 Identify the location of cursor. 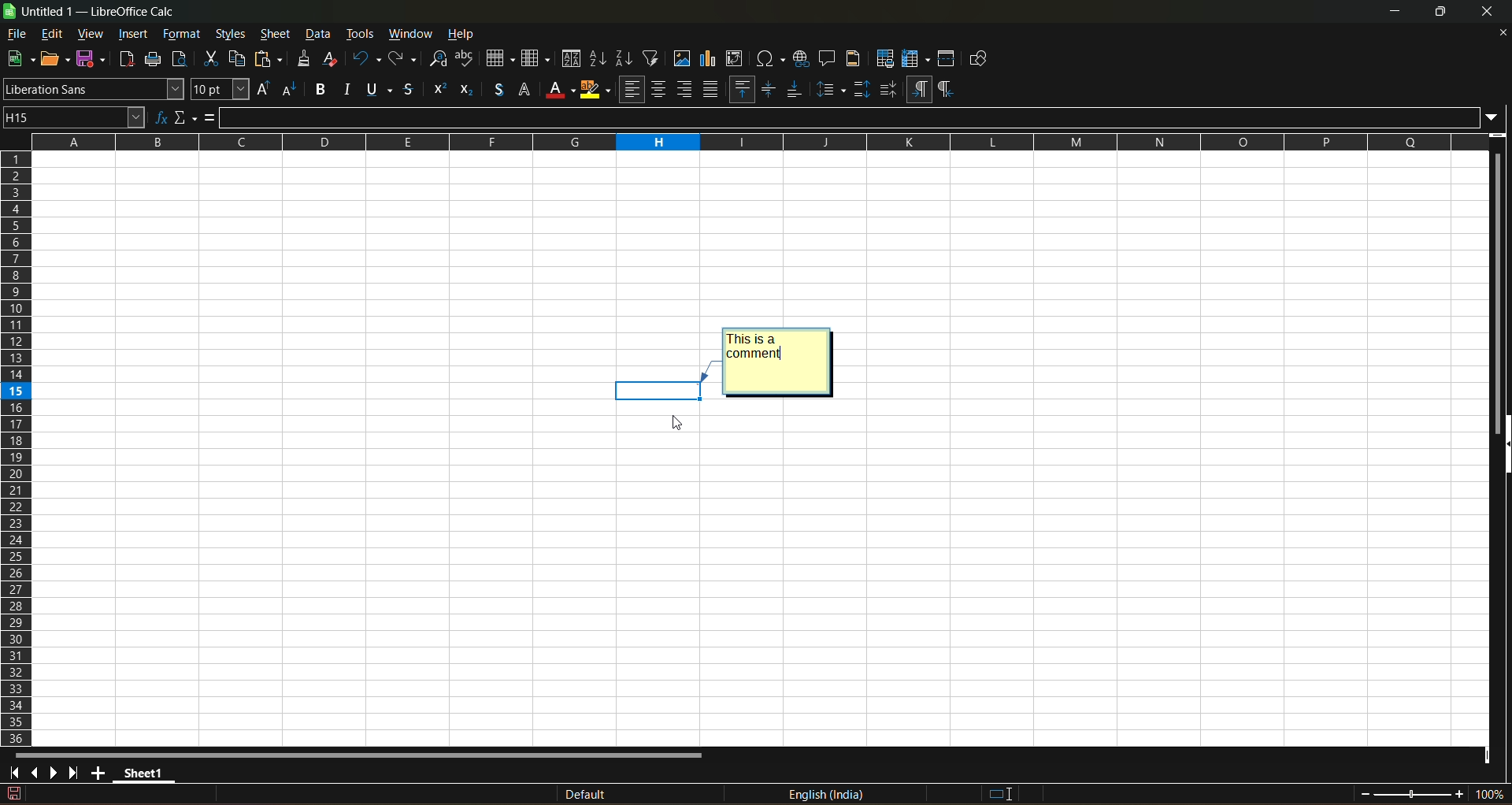
(677, 422).